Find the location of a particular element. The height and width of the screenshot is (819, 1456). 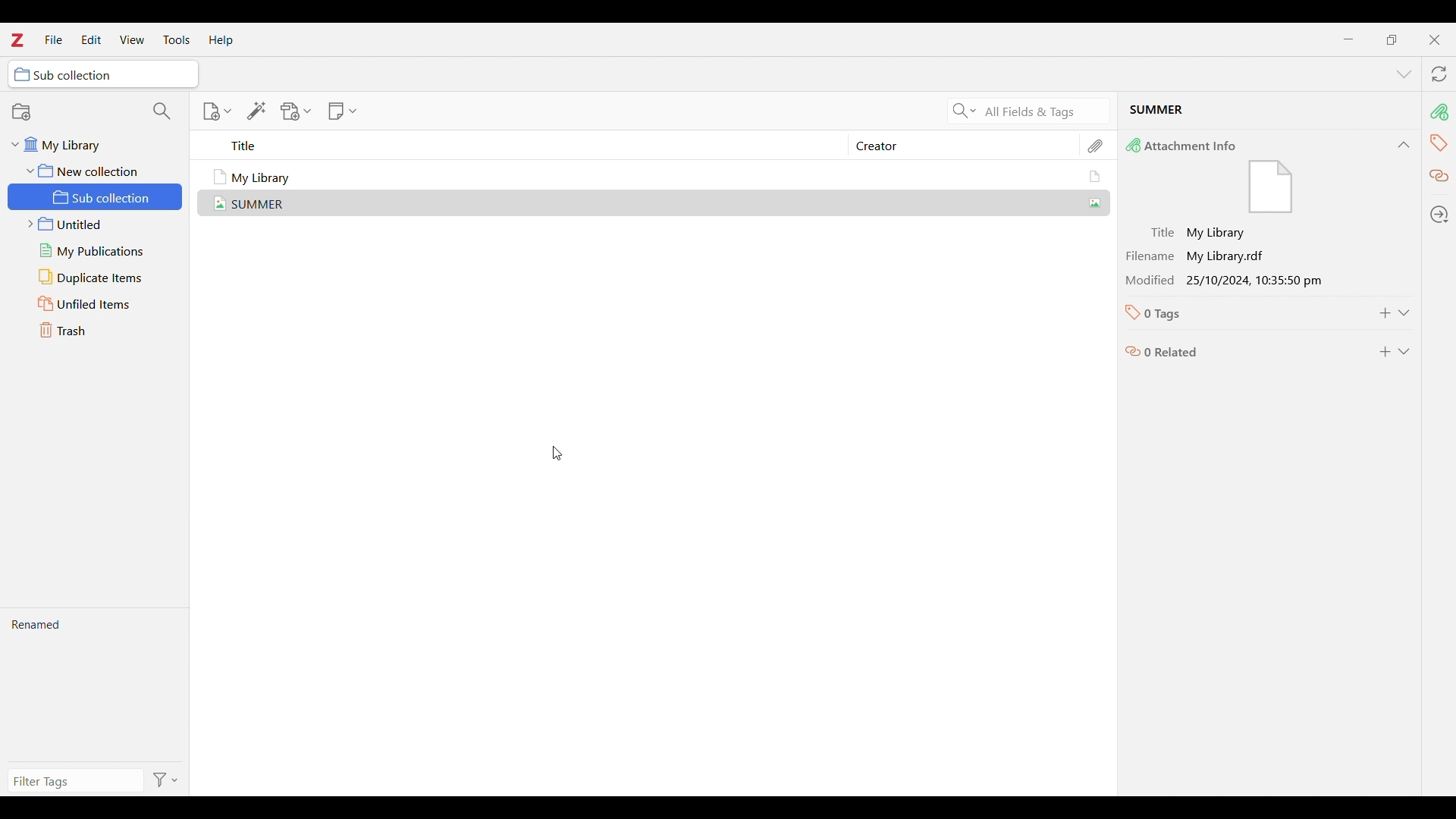

Unfiled items is located at coordinates (96, 303).